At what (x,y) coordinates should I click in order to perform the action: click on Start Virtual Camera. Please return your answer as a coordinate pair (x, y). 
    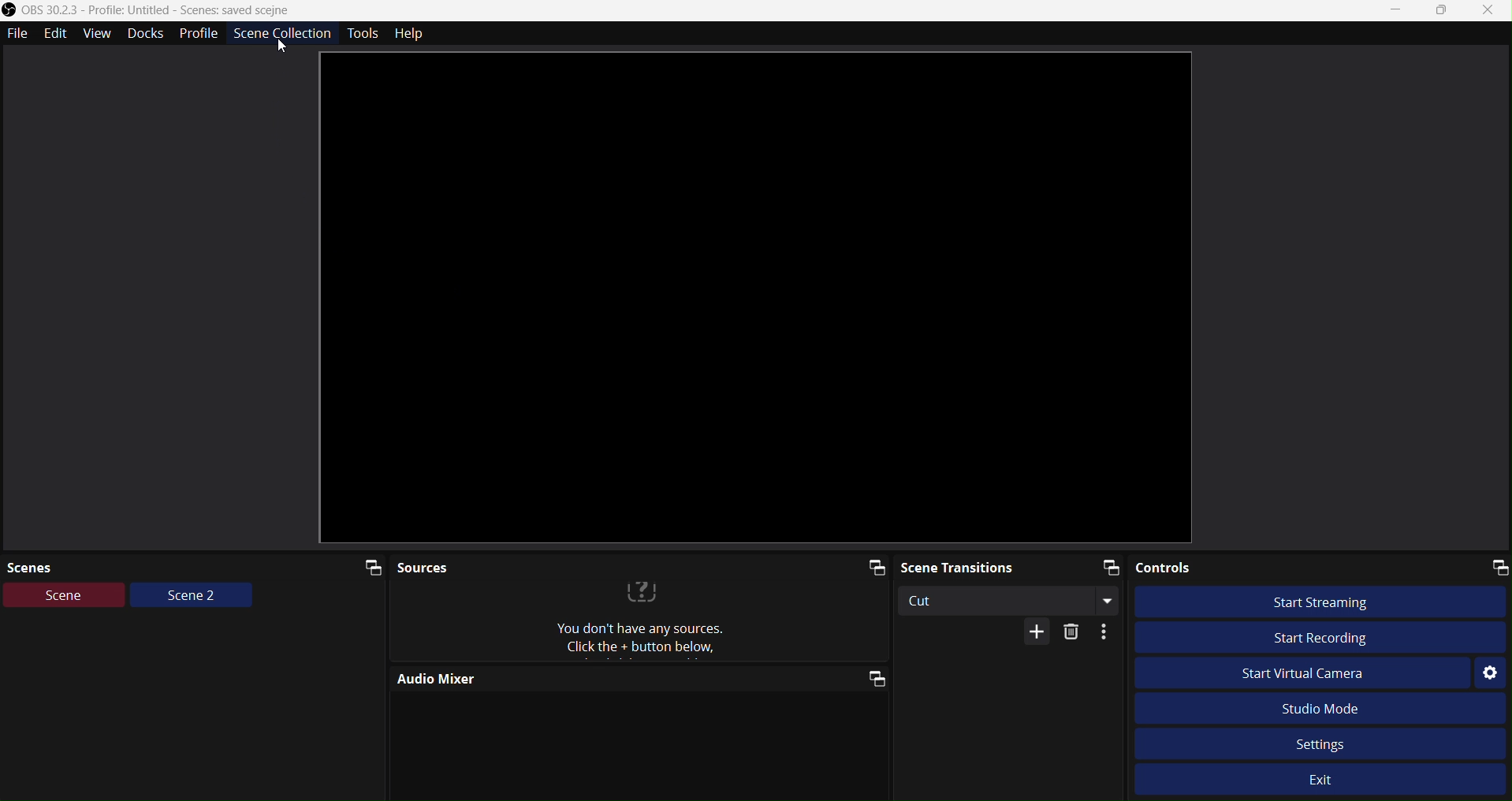
    Looking at the image, I should click on (1300, 672).